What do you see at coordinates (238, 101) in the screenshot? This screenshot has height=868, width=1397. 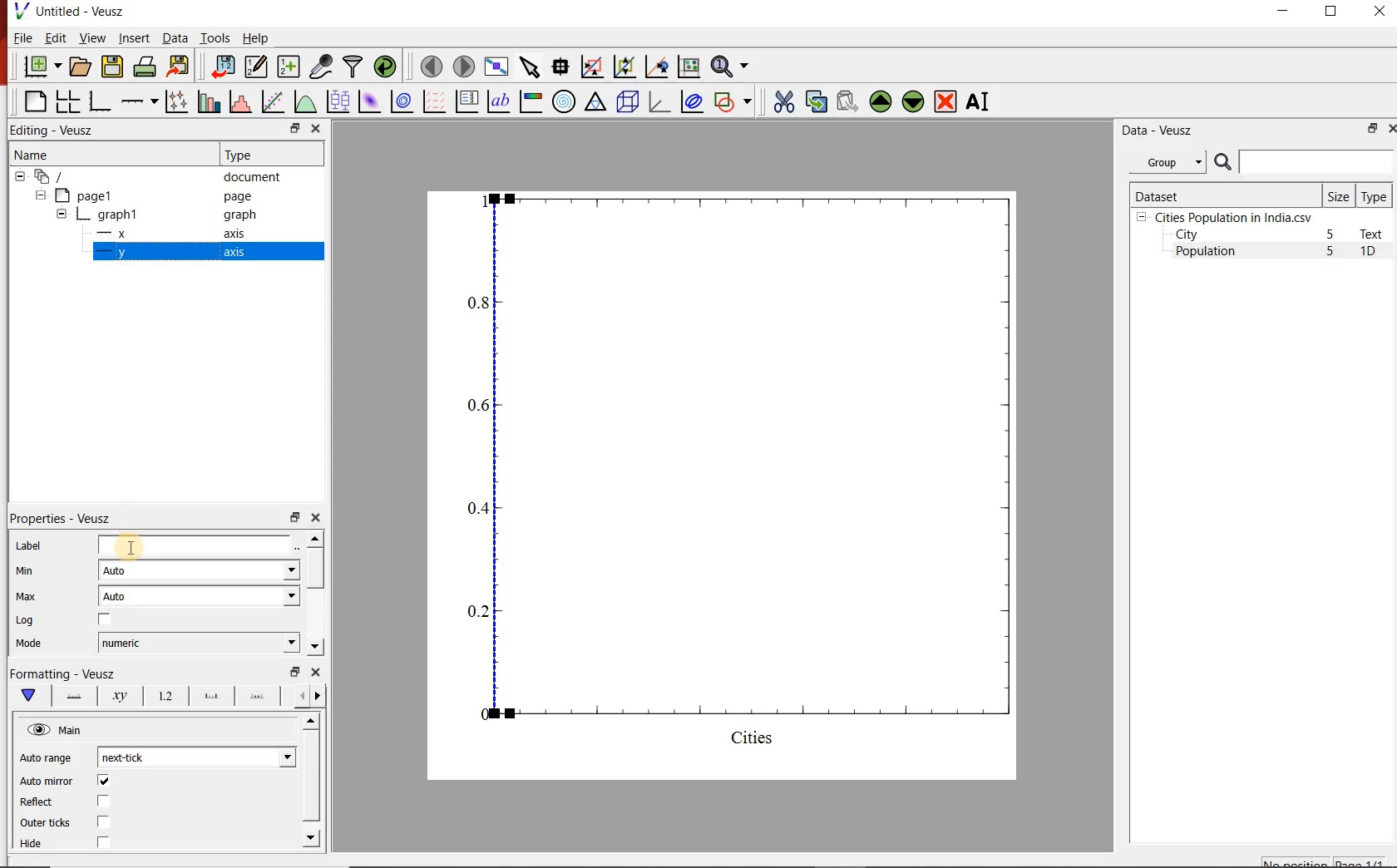 I see `histogram of a dataset` at bounding box center [238, 101].